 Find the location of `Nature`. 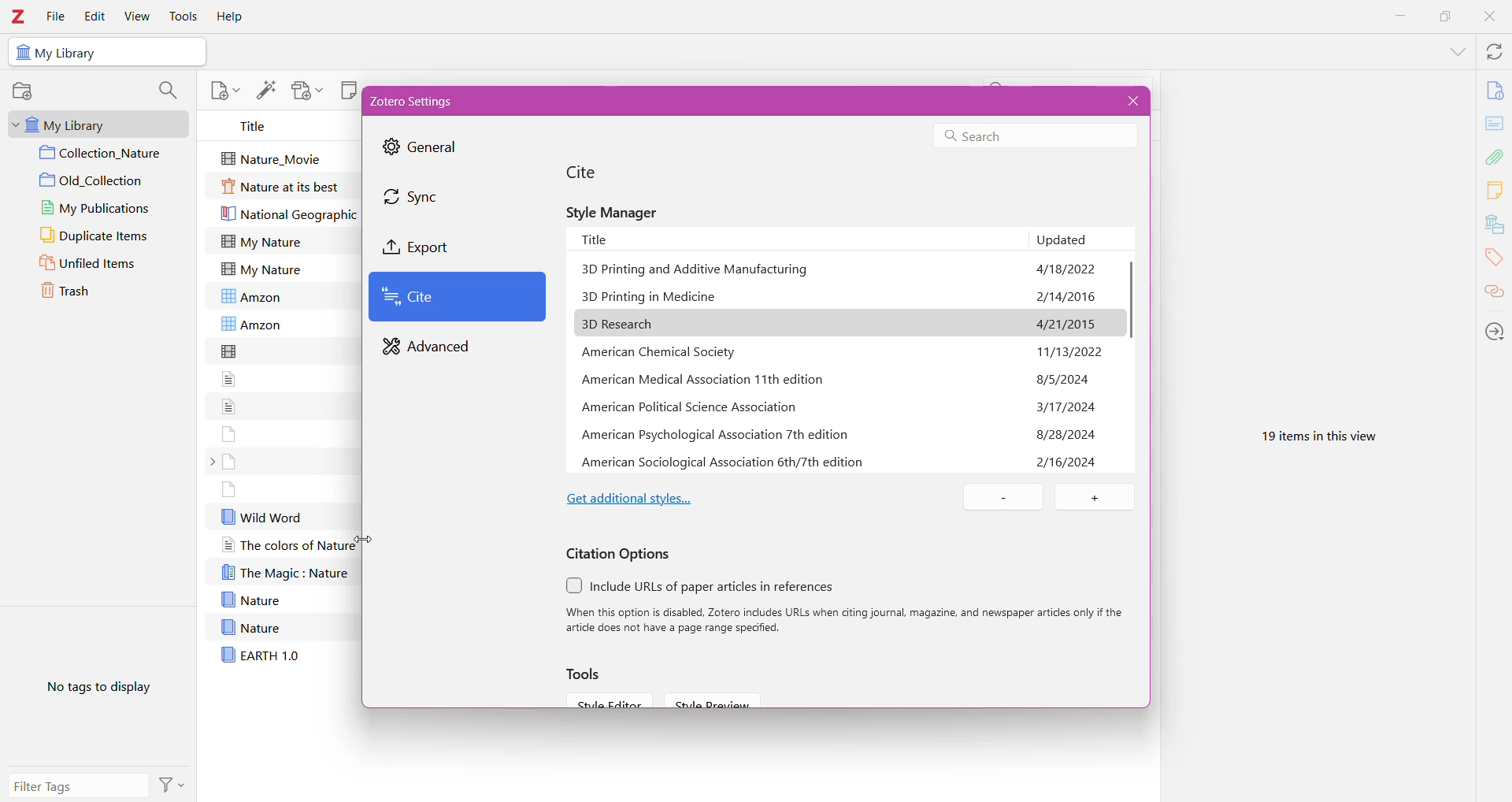

Nature is located at coordinates (250, 626).